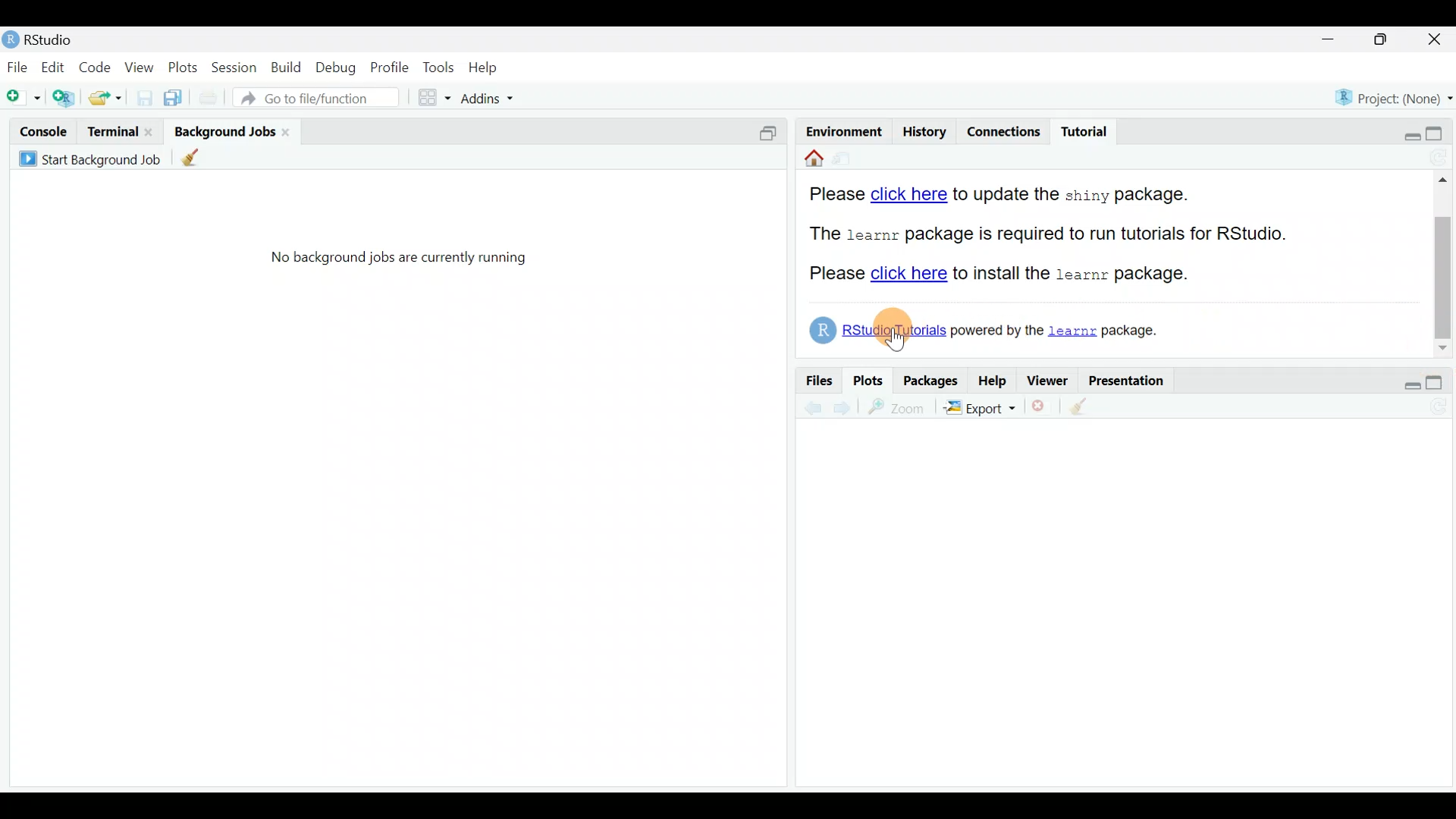 The width and height of the screenshot is (1456, 819). What do you see at coordinates (809, 162) in the screenshot?
I see `return to home` at bounding box center [809, 162].